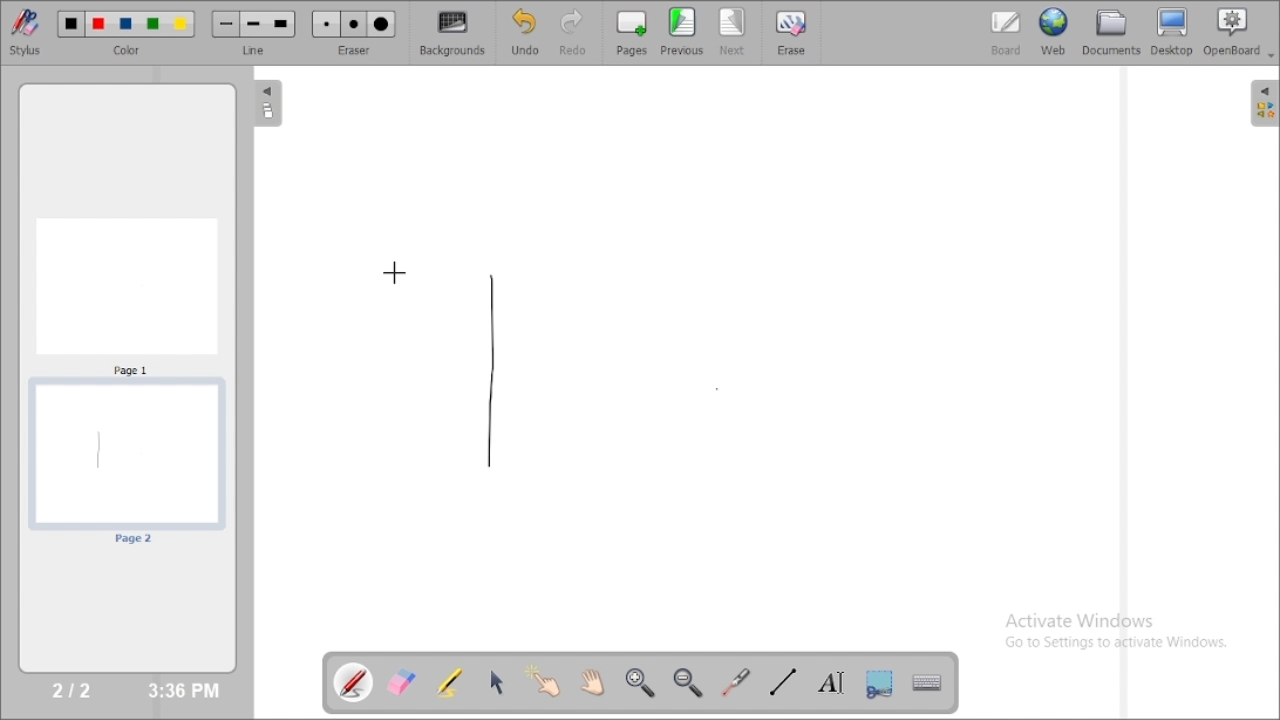 The image size is (1280, 720). I want to click on erase annotation, so click(403, 682).